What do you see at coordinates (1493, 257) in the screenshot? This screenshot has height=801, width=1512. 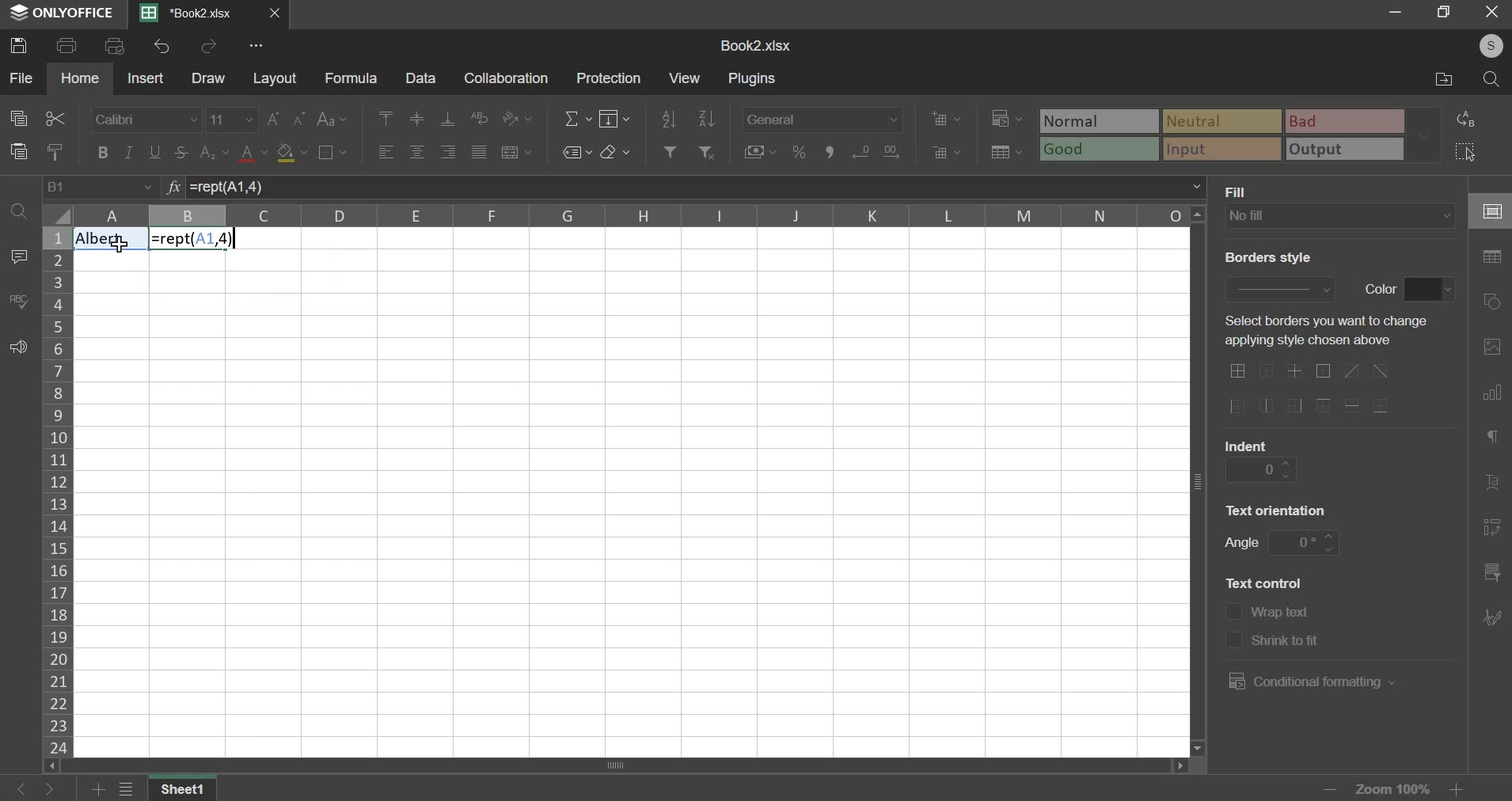 I see `table settings` at bounding box center [1493, 257].